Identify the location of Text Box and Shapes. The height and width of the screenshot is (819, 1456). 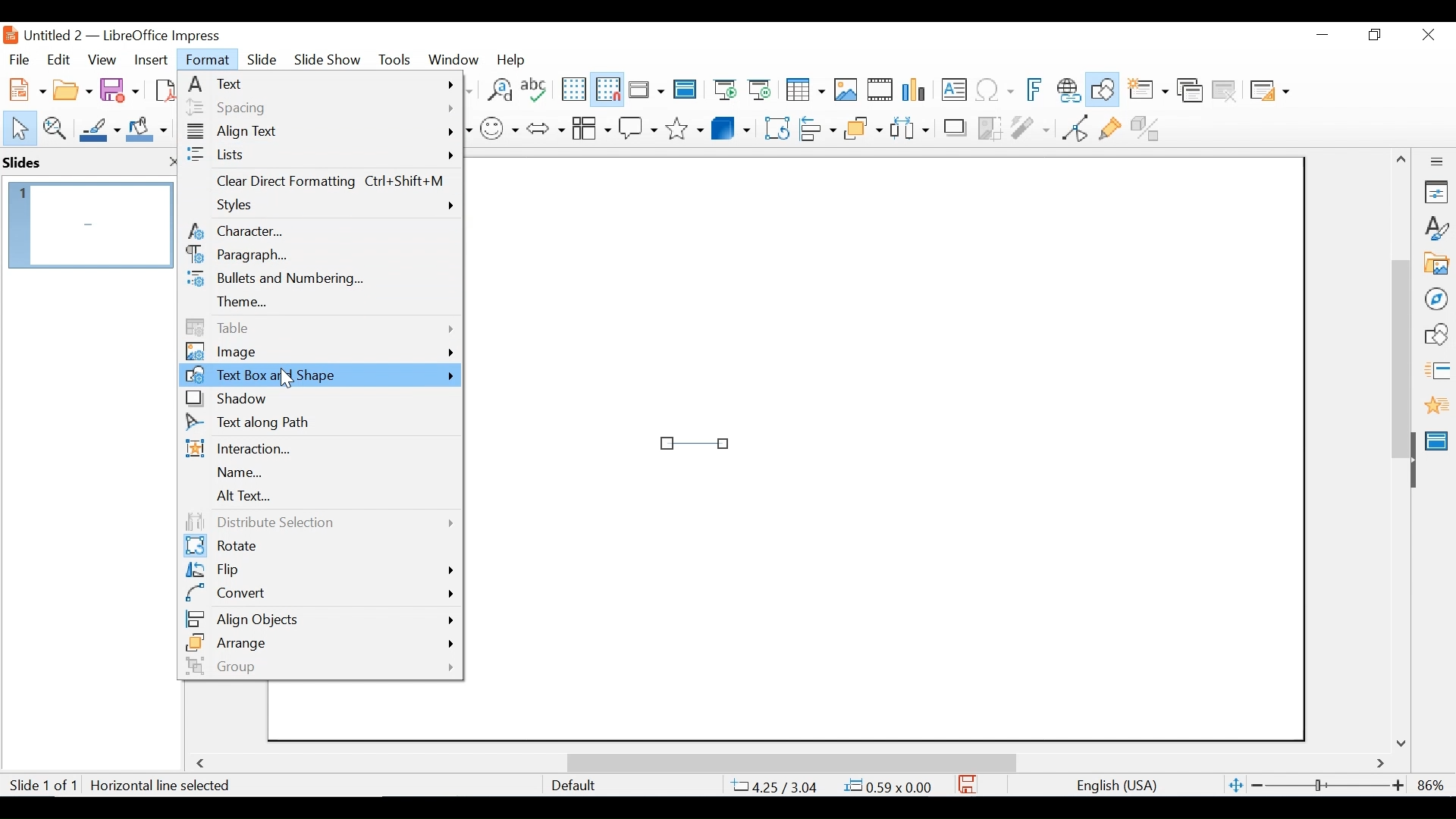
(322, 375).